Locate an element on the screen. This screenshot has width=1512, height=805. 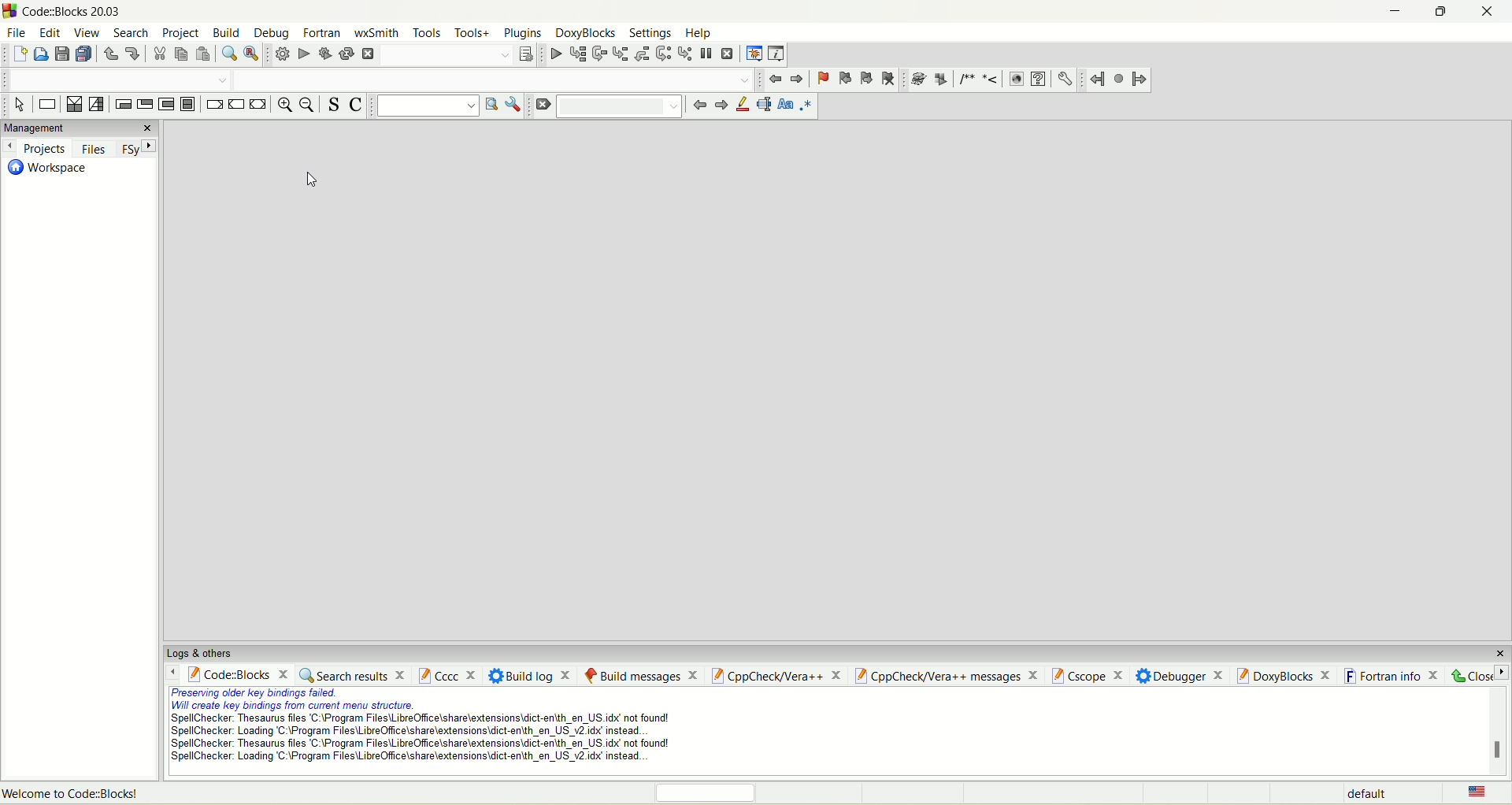
clear bookmark is located at coordinates (890, 79).